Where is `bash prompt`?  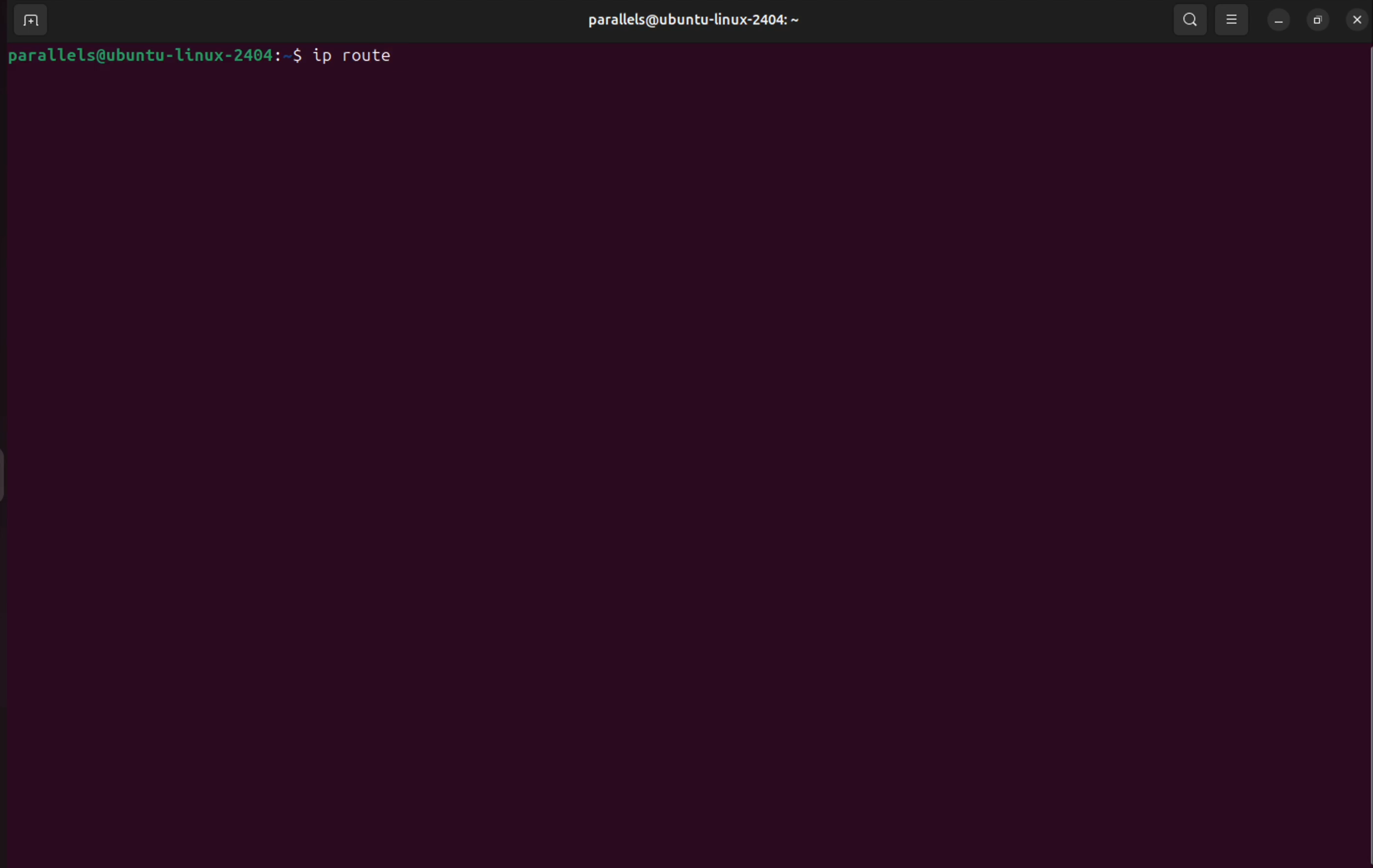
bash prompt is located at coordinates (153, 55).